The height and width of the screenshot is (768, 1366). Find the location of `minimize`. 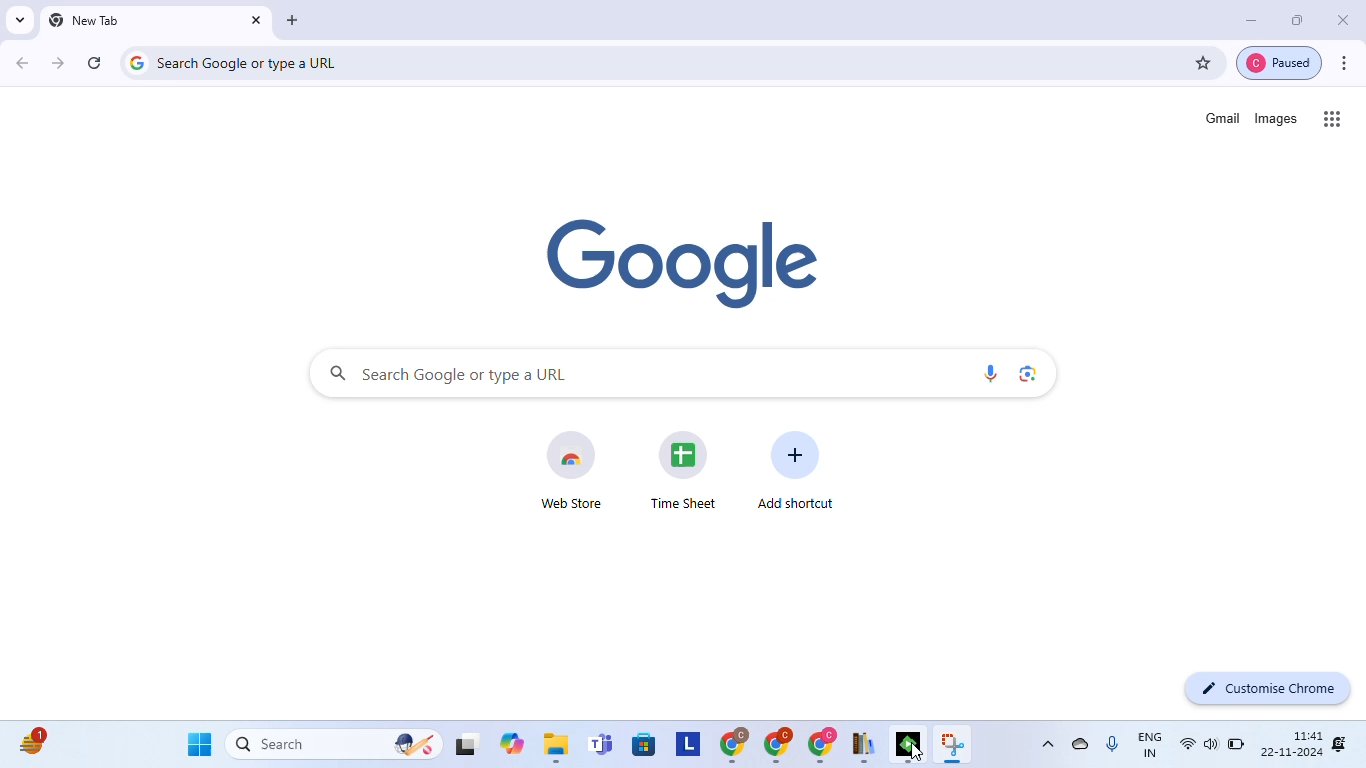

minimize is located at coordinates (1245, 19).